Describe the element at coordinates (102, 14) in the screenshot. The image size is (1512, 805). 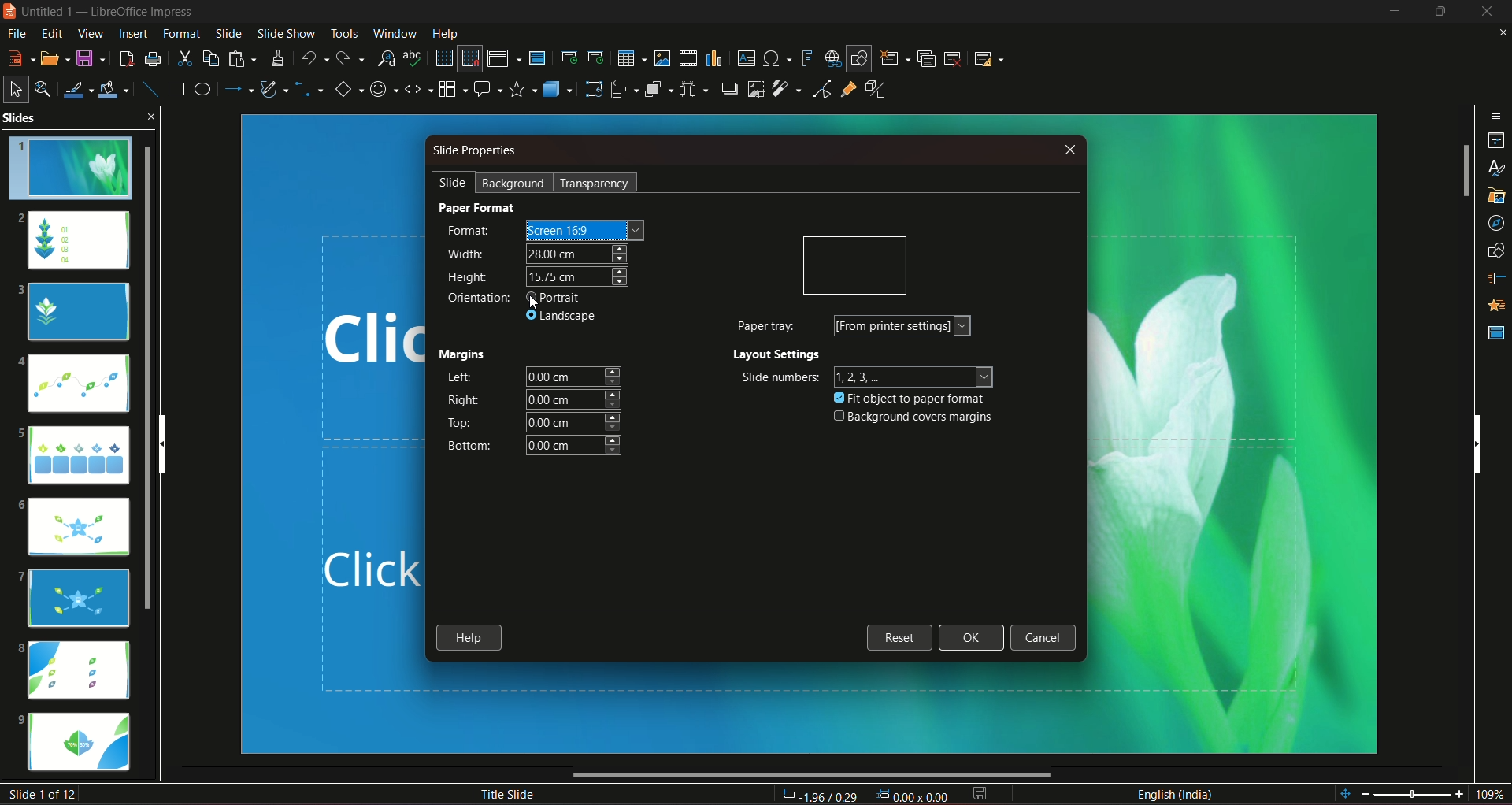
I see `logo and title` at that location.